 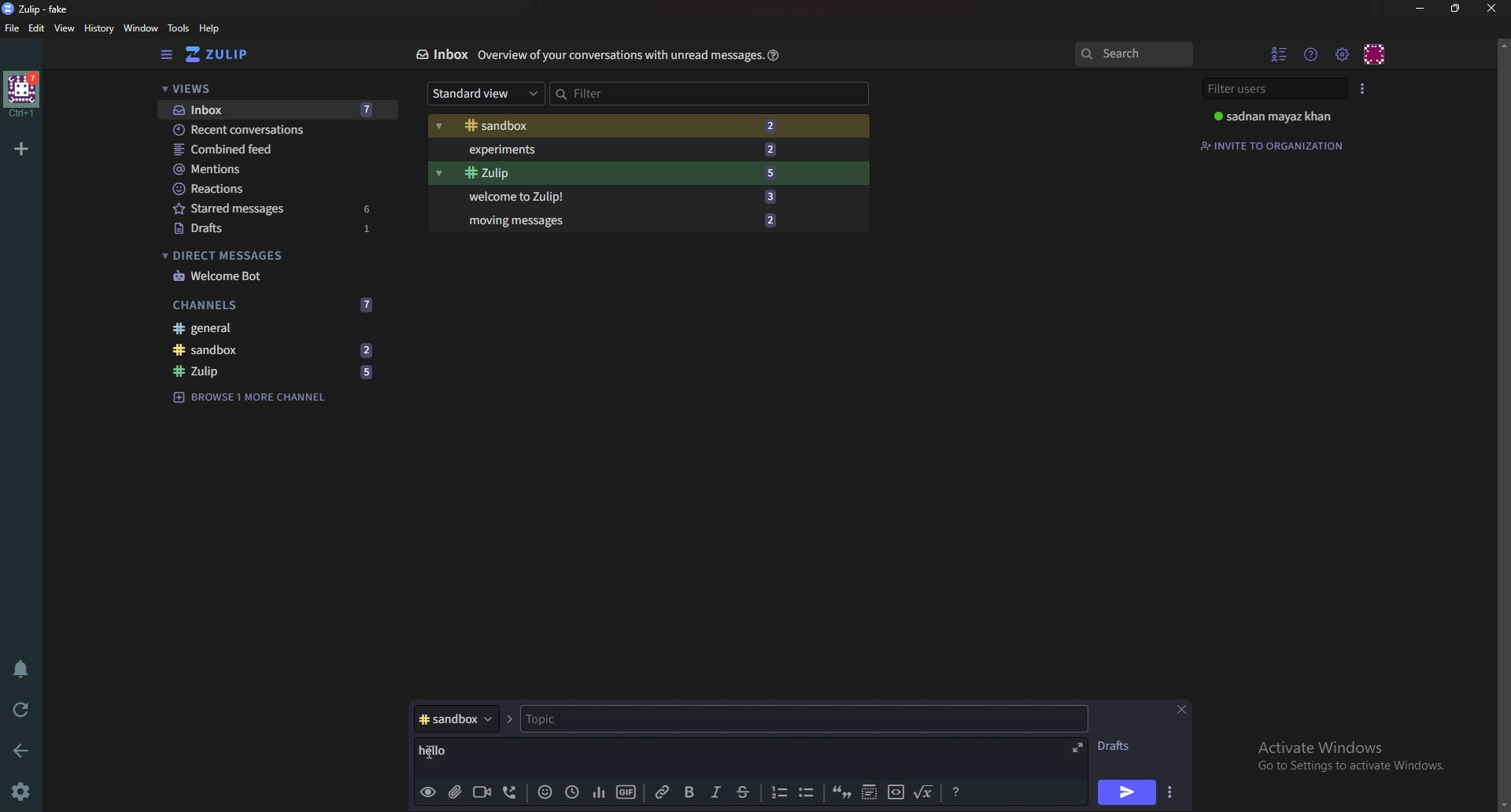 What do you see at coordinates (572, 792) in the screenshot?
I see `Global time` at bounding box center [572, 792].